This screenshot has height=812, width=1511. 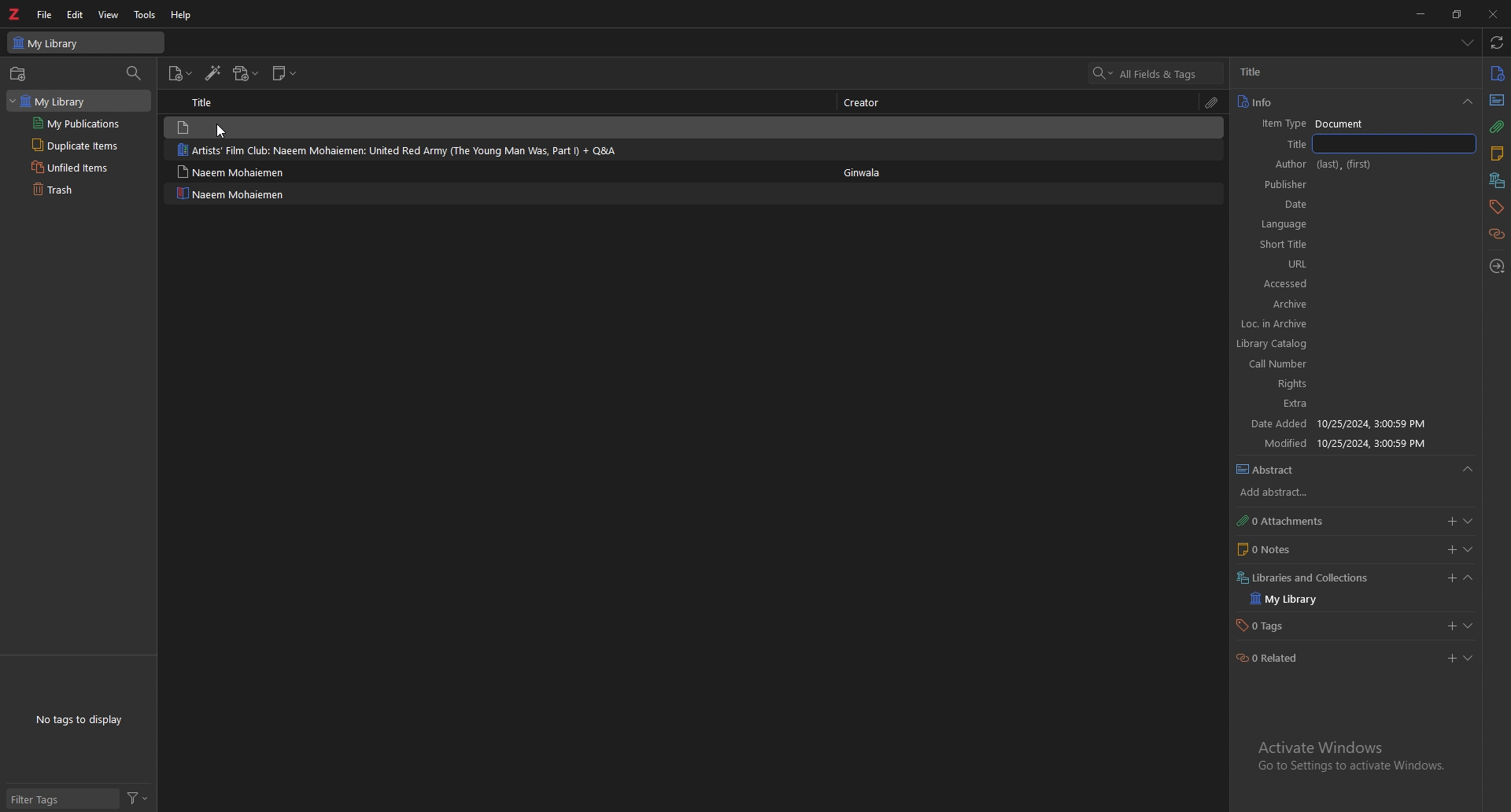 I want to click on series number, so click(x=1277, y=225).